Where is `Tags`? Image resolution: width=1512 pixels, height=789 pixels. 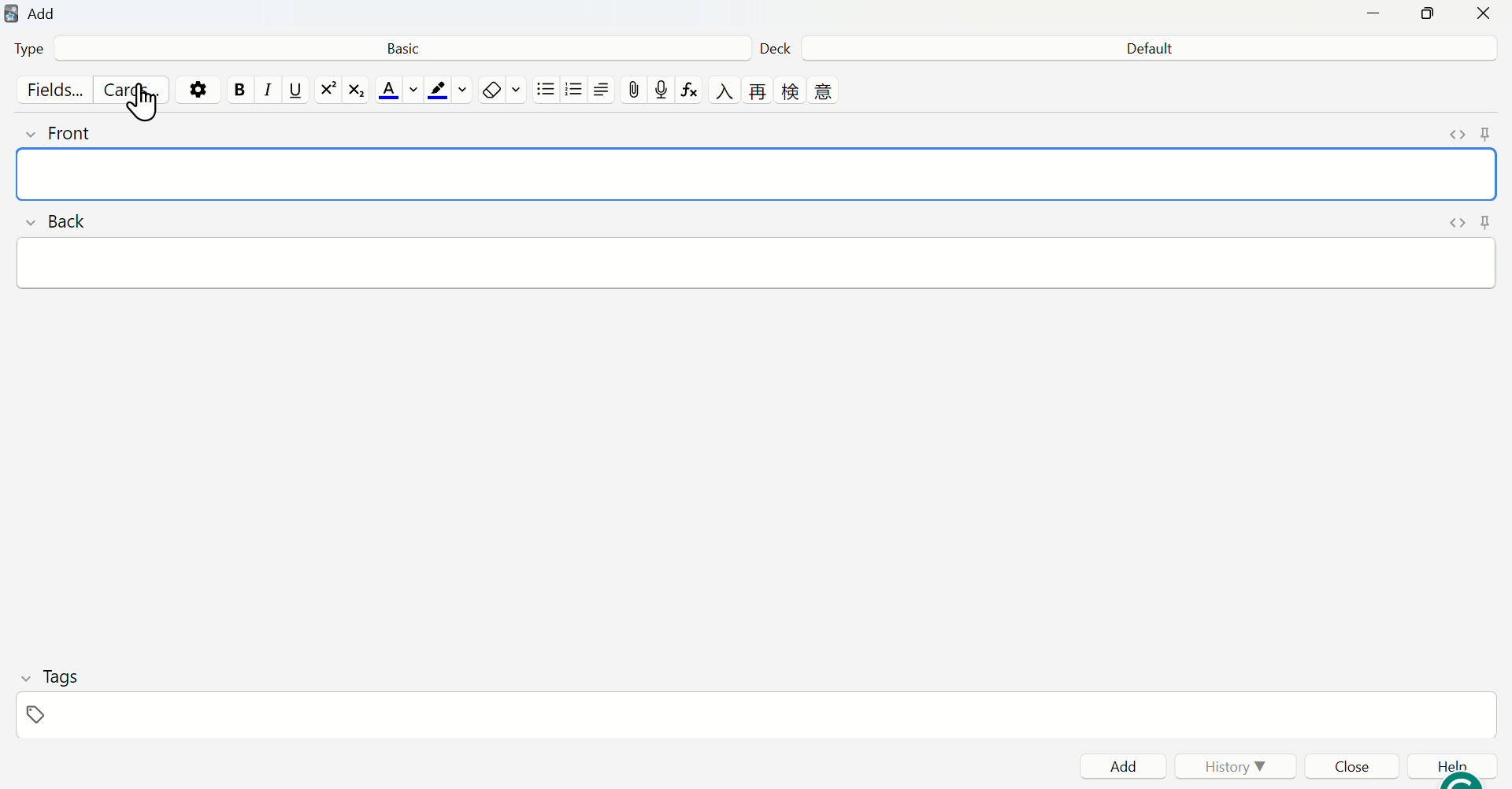 Tags is located at coordinates (754, 715).